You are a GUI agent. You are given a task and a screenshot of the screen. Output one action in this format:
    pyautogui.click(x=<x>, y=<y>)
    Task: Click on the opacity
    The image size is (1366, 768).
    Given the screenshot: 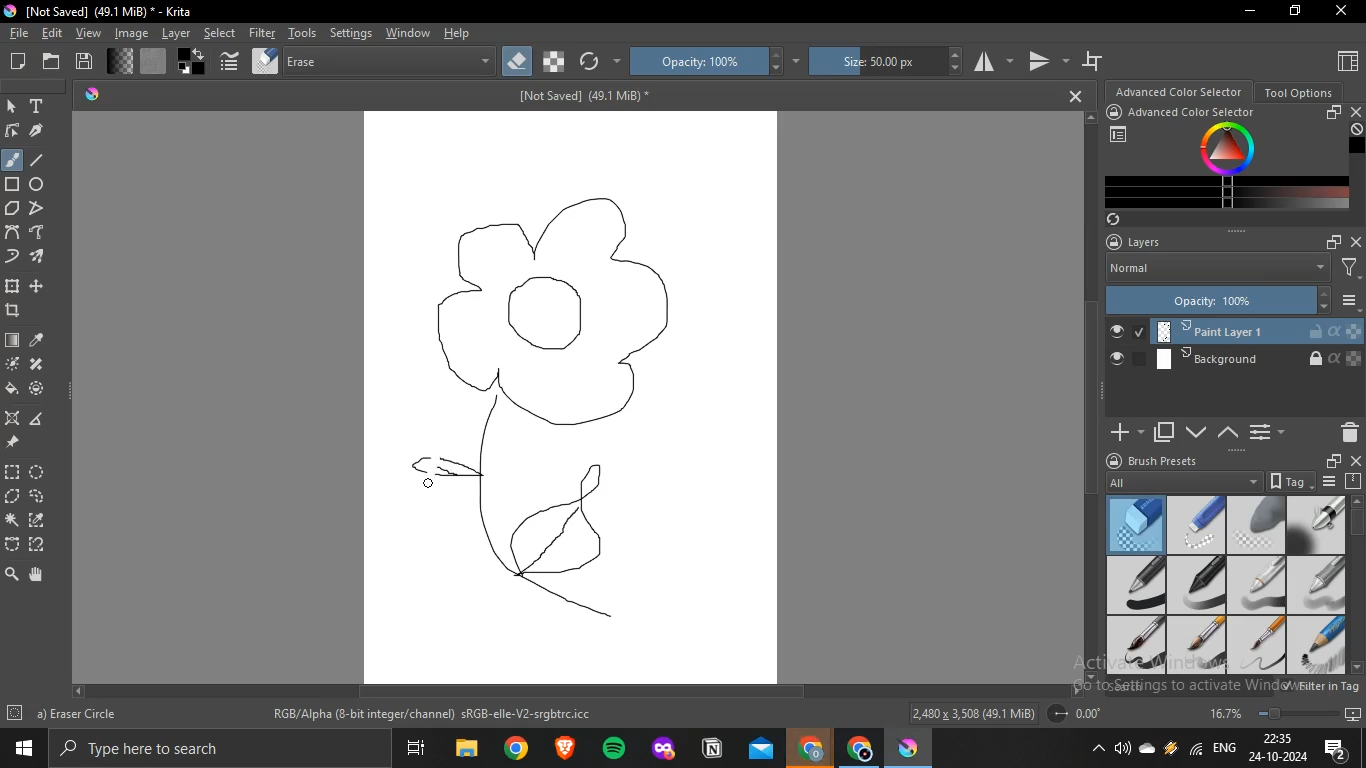 What is the action you would take?
    pyautogui.click(x=716, y=63)
    